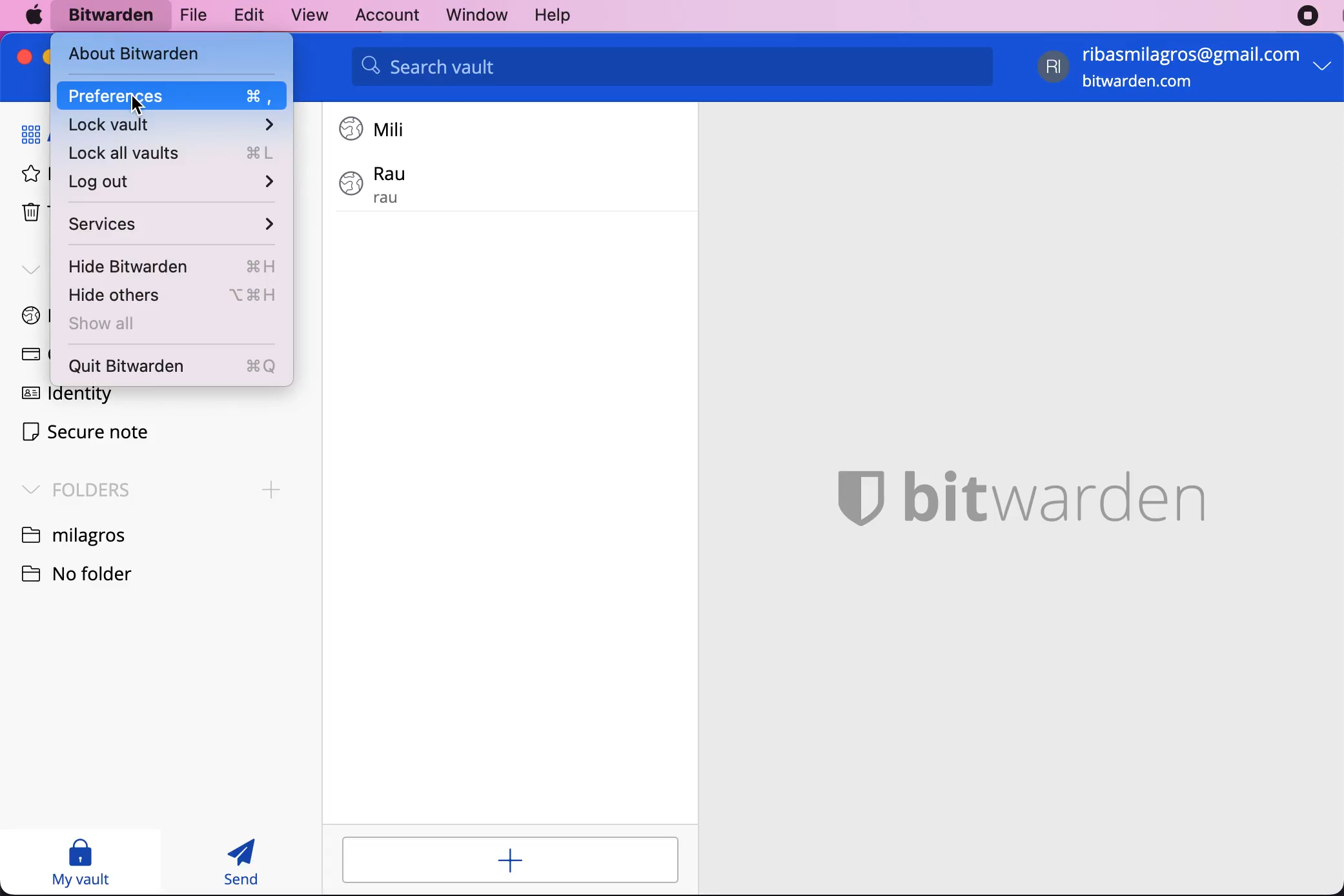  Describe the element at coordinates (382, 14) in the screenshot. I see `account` at that location.